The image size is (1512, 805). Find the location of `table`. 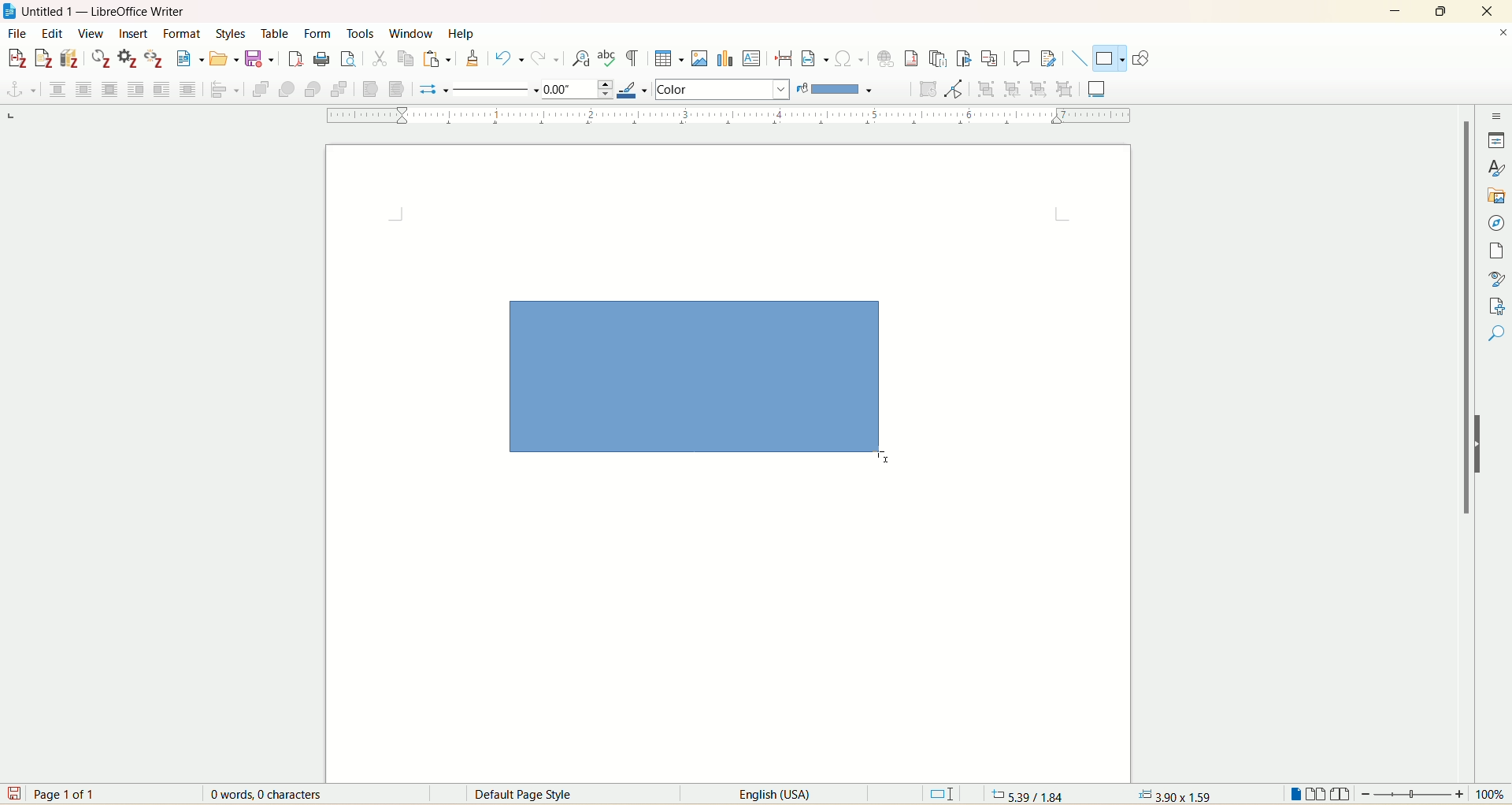

table is located at coordinates (280, 33).